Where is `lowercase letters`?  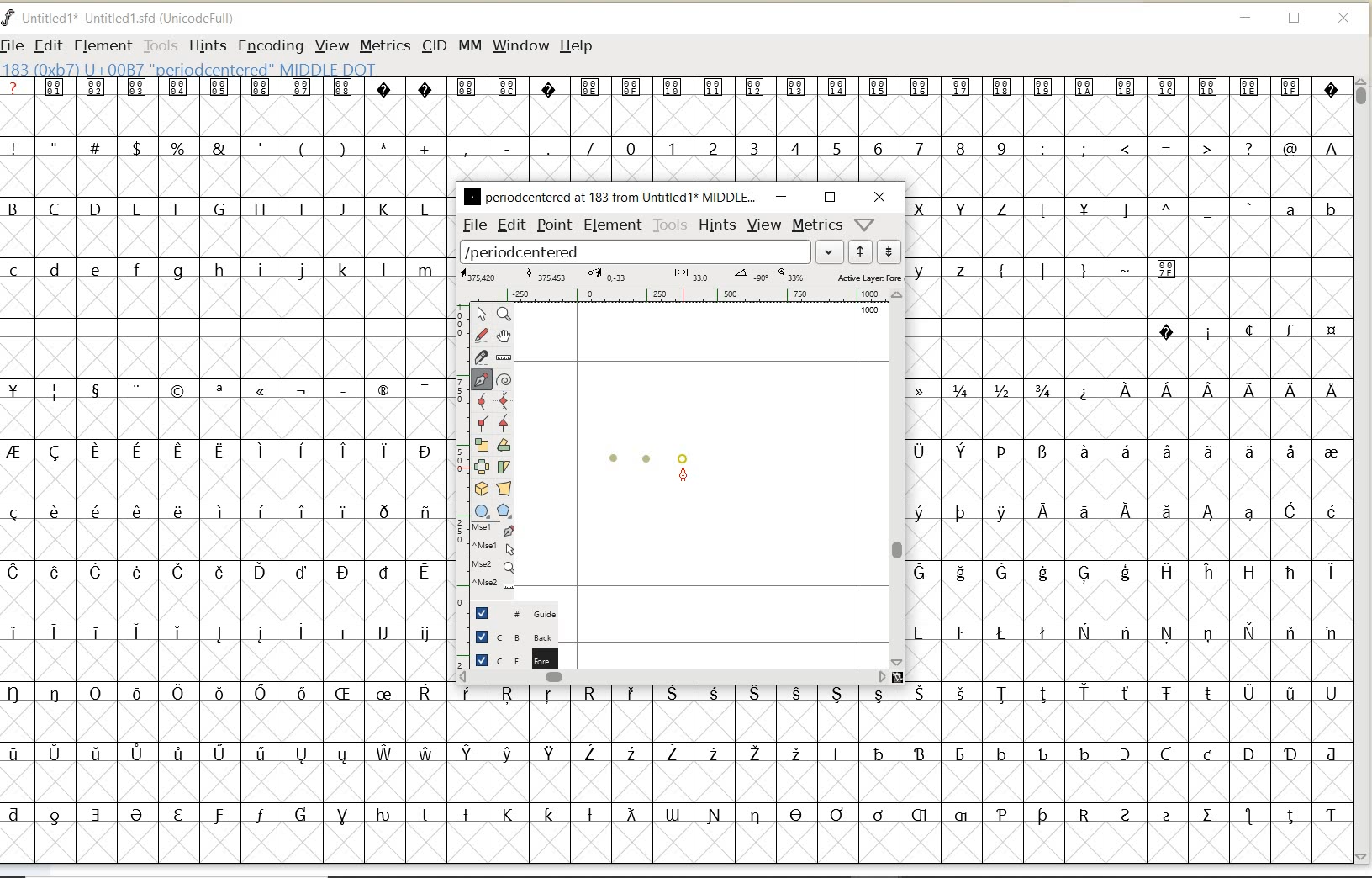
lowercase letters is located at coordinates (1310, 213).